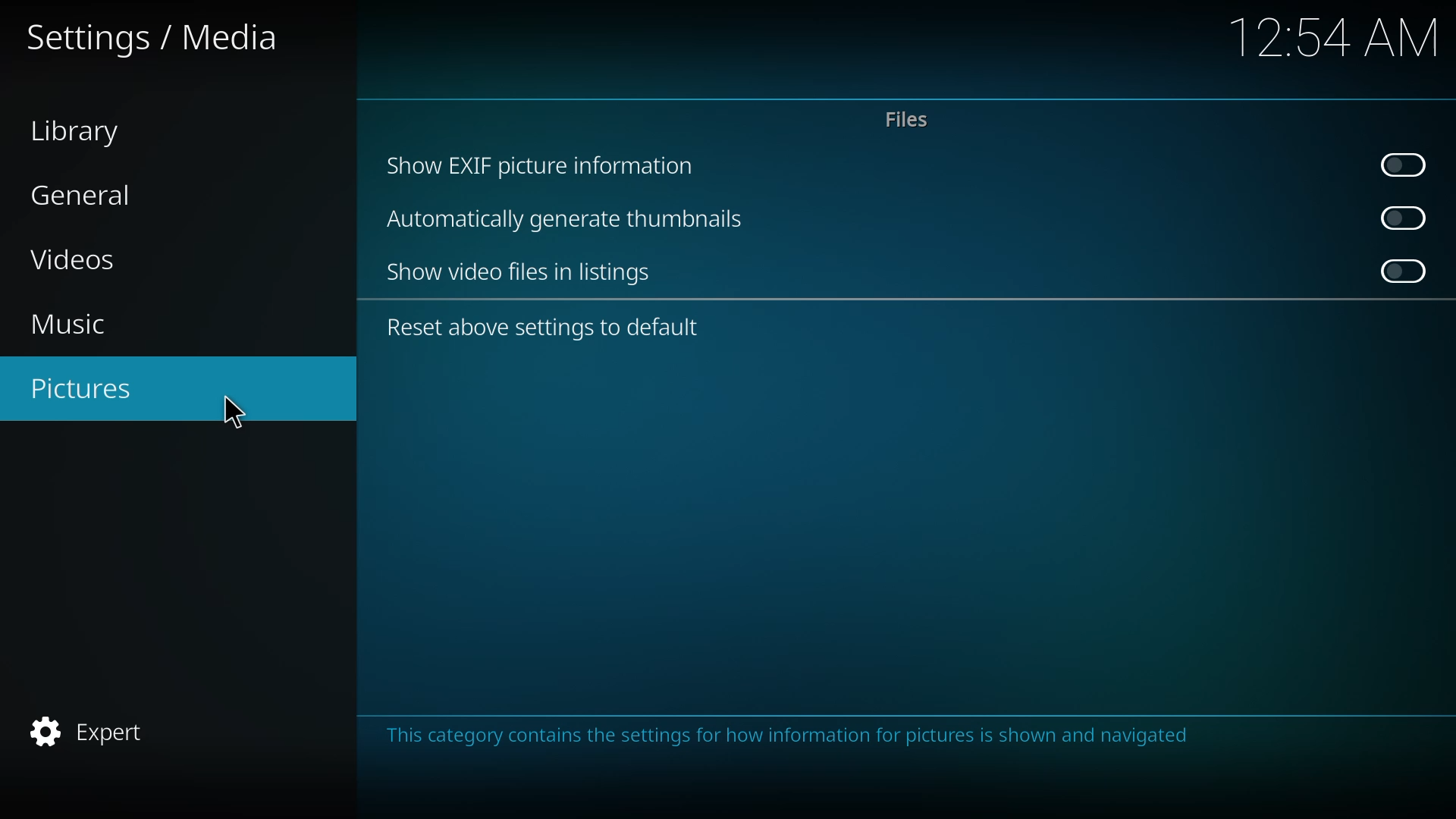  What do you see at coordinates (547, 326) in the screenshot?
I see `reset above settings to default` at bounding box center [547, 326].